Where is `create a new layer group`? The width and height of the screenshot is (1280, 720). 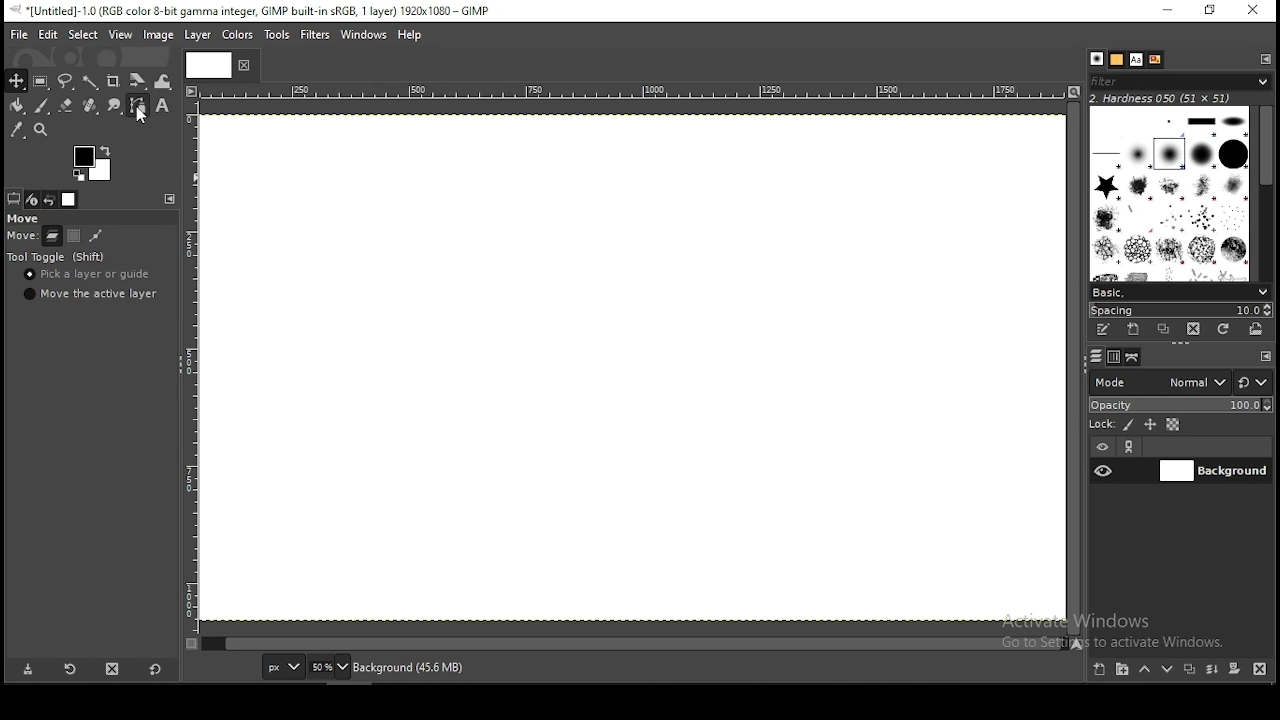 create a new layer group is located at coordinates (1124, 671).